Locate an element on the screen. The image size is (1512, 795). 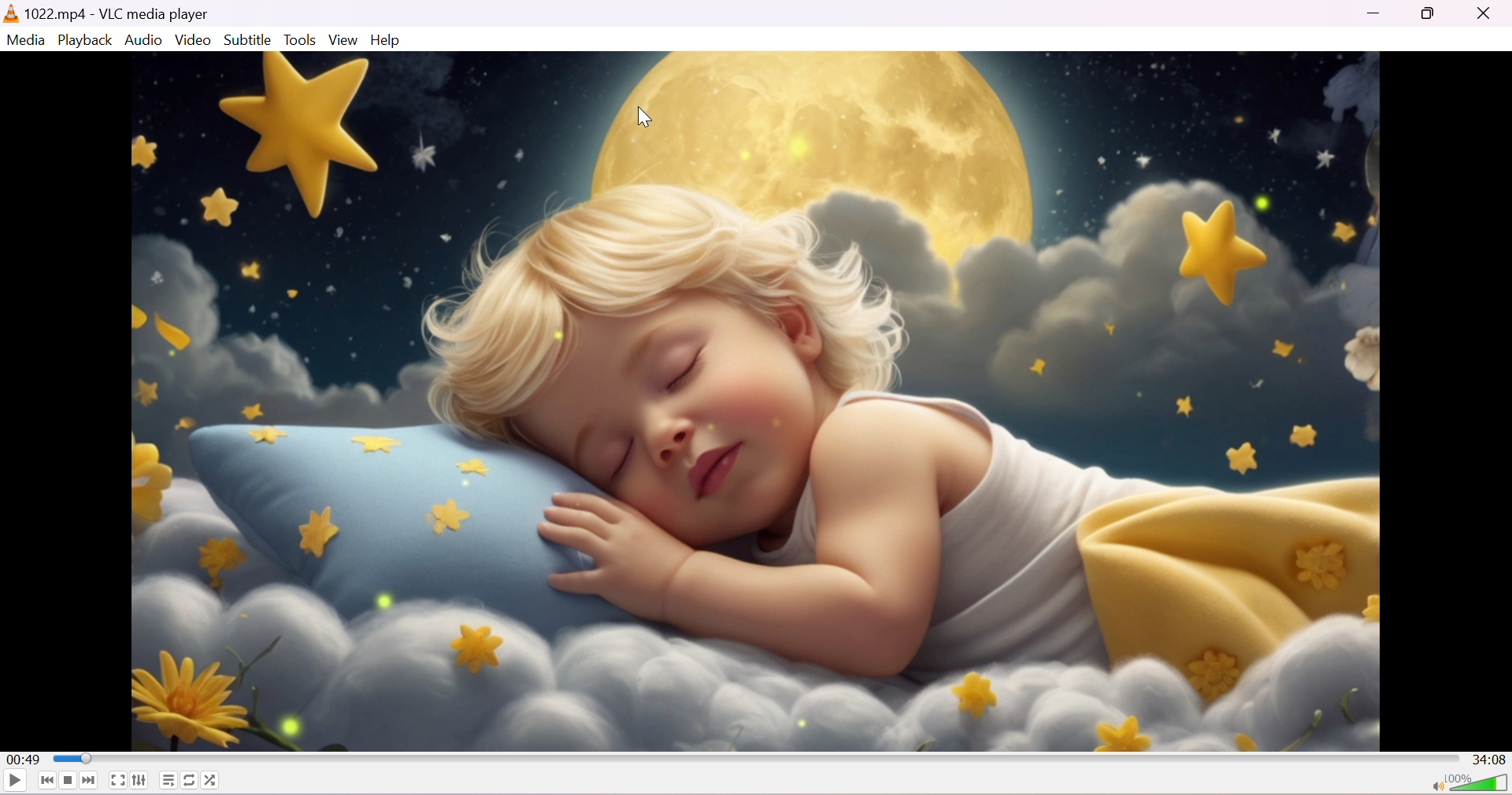
Tools is located at coordinates (300, 40).